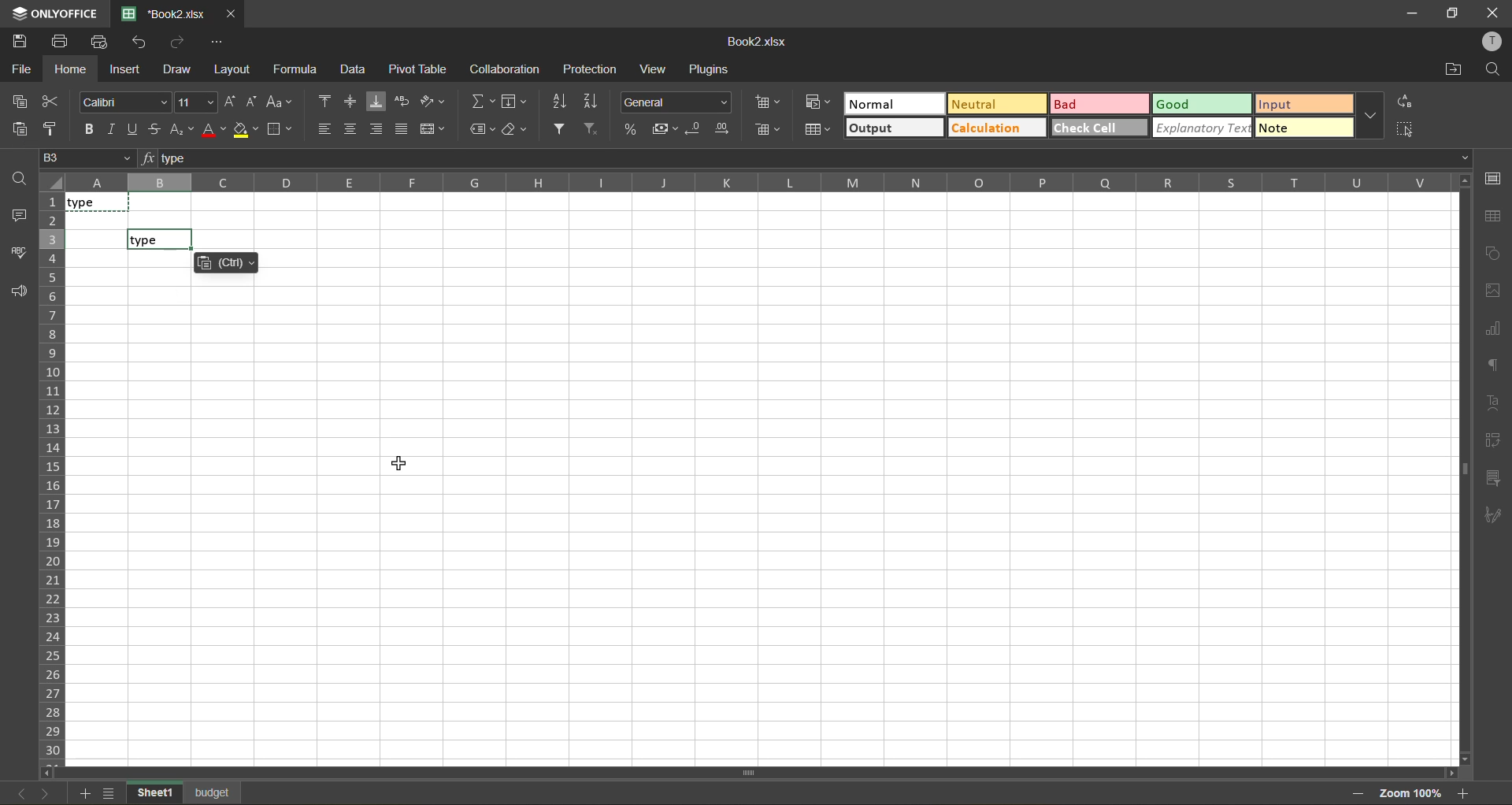 This screenshot has width=1512, height=805. What do you see at coordinates (197, 102) in the screenshot?
I see `font size` at bounding box center [197, 102].